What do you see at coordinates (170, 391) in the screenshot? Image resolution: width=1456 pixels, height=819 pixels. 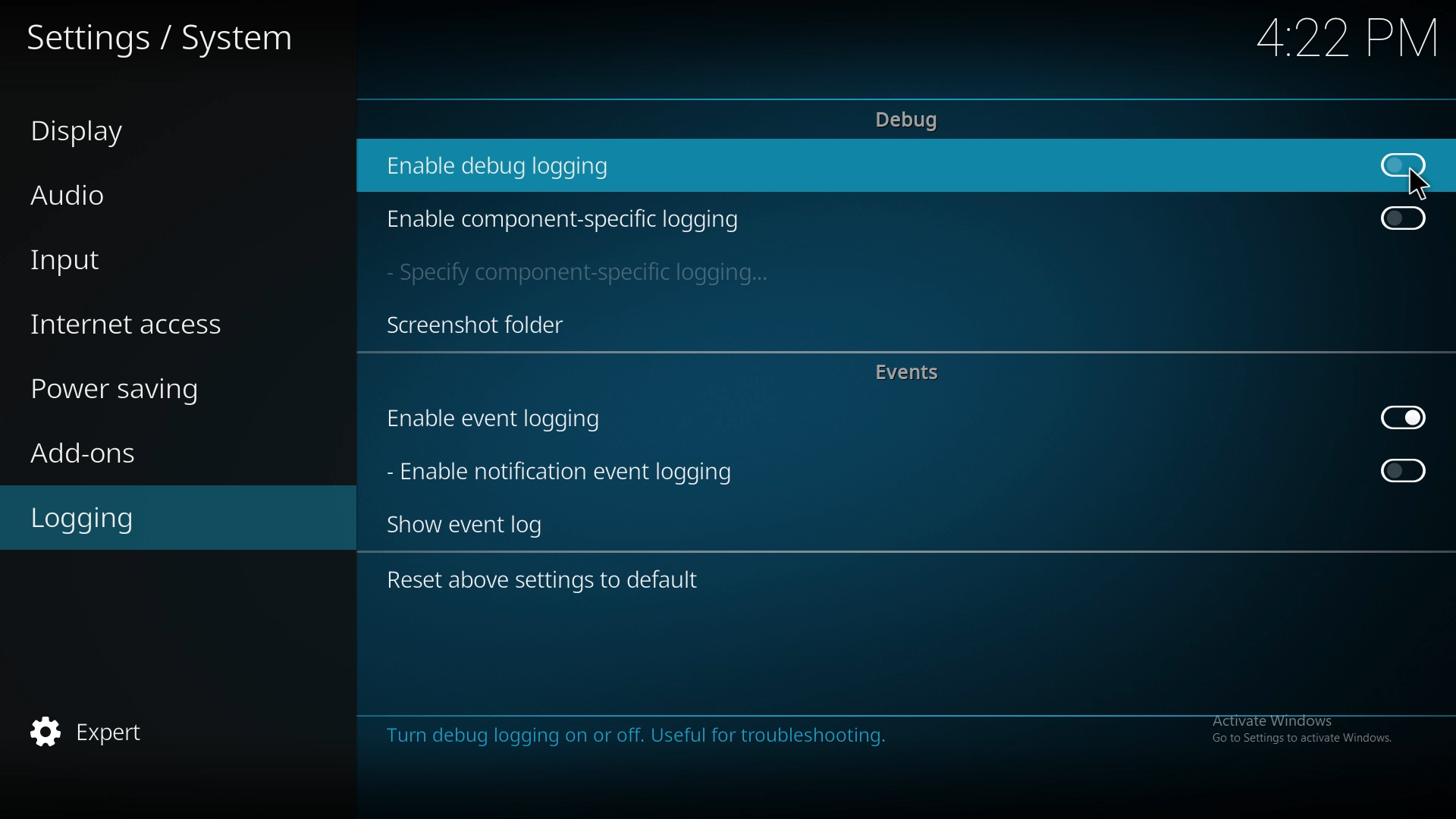 I see `power saving` at bounding box center [170, 391].